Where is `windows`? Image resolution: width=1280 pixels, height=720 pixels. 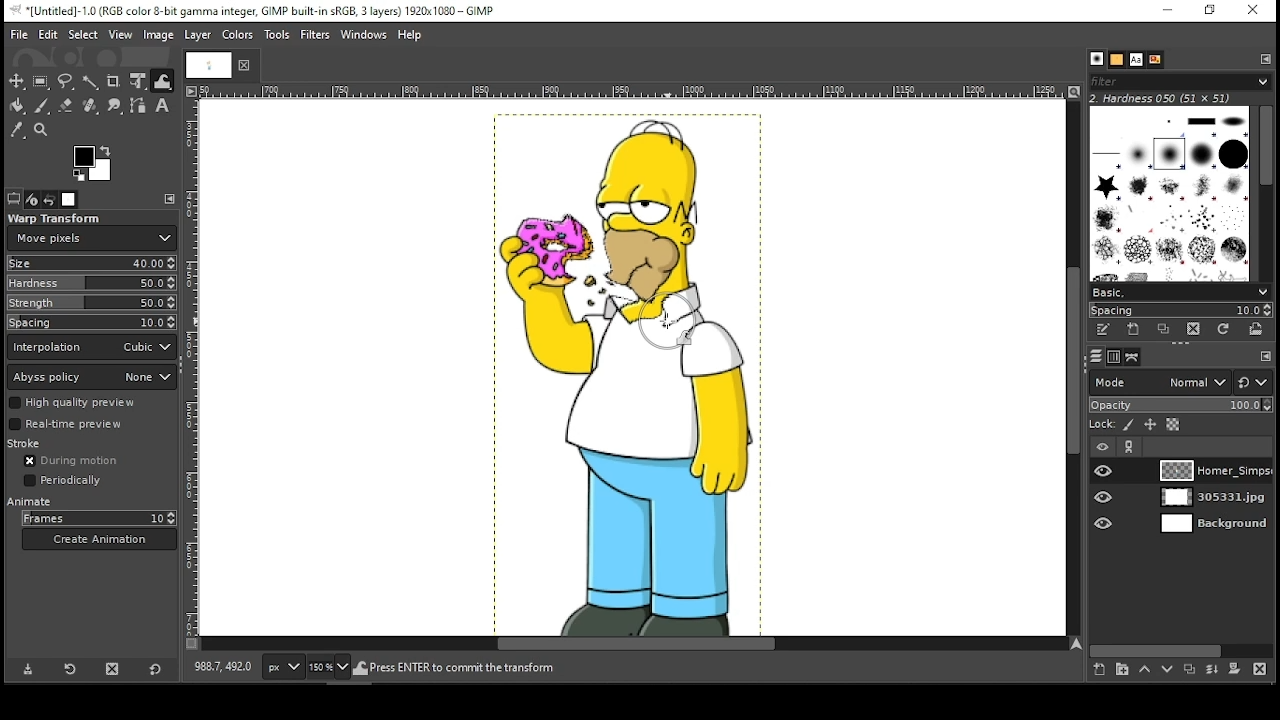
windows is located at coordinates (363, 34).